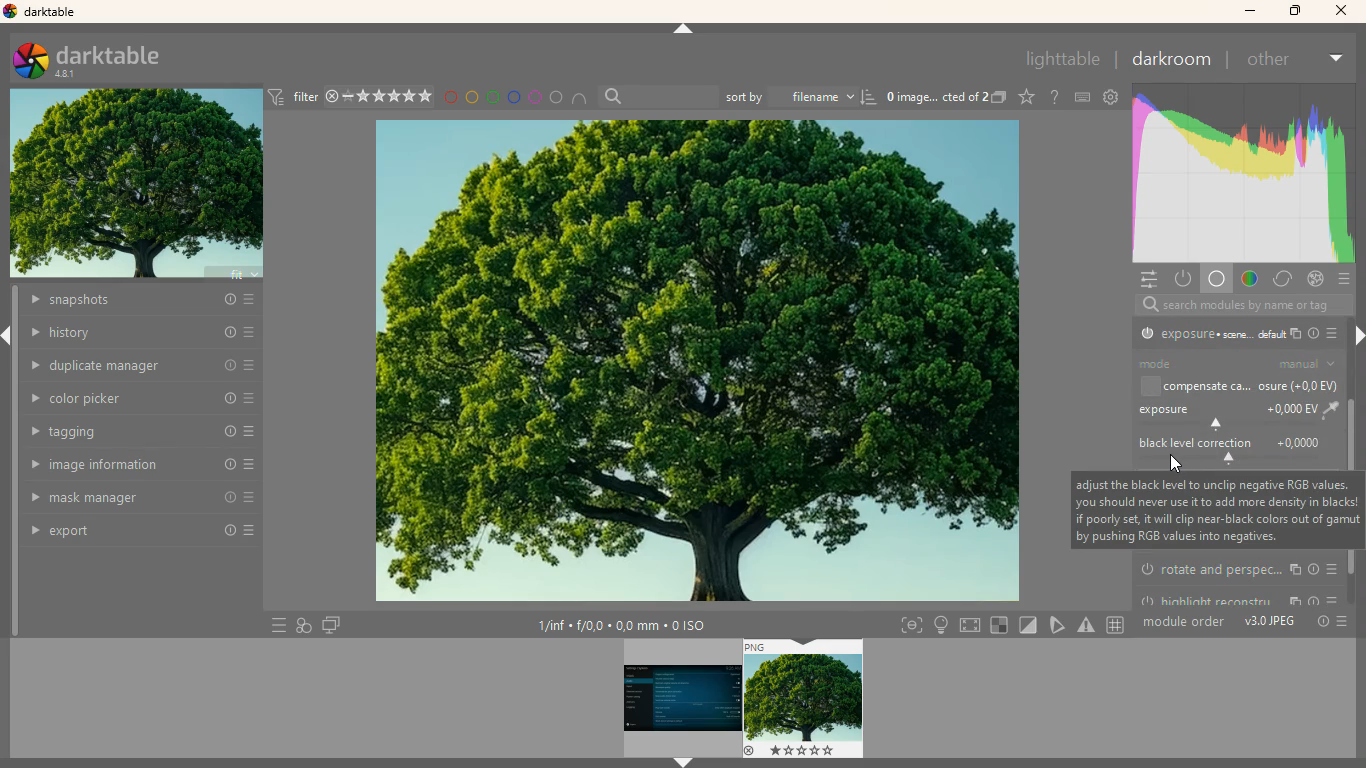 The width and height of the screenshot is (1366, 768). I want to click on image, so click(137, 186).